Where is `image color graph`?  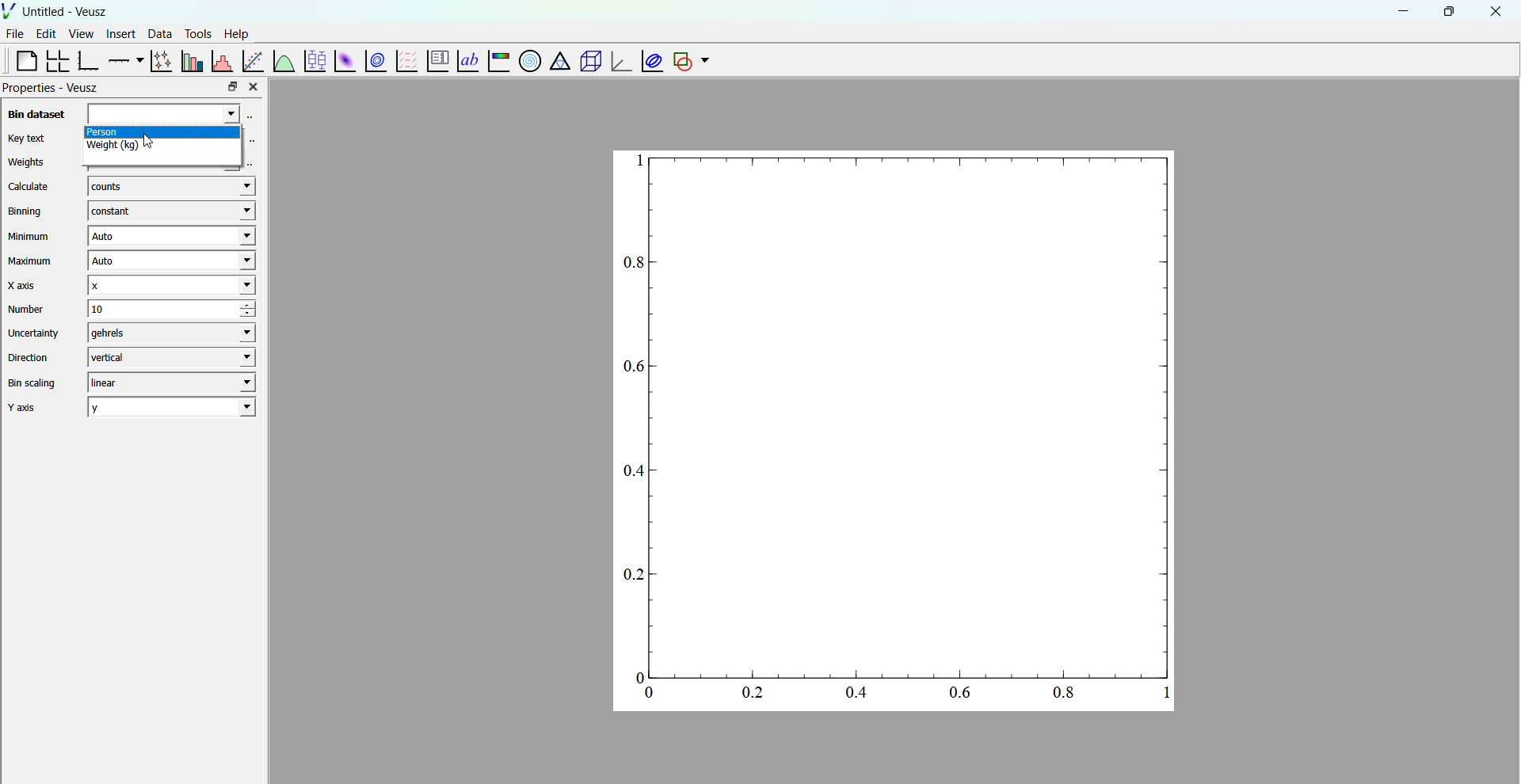
image color graph is located at coordinates (497, 63).